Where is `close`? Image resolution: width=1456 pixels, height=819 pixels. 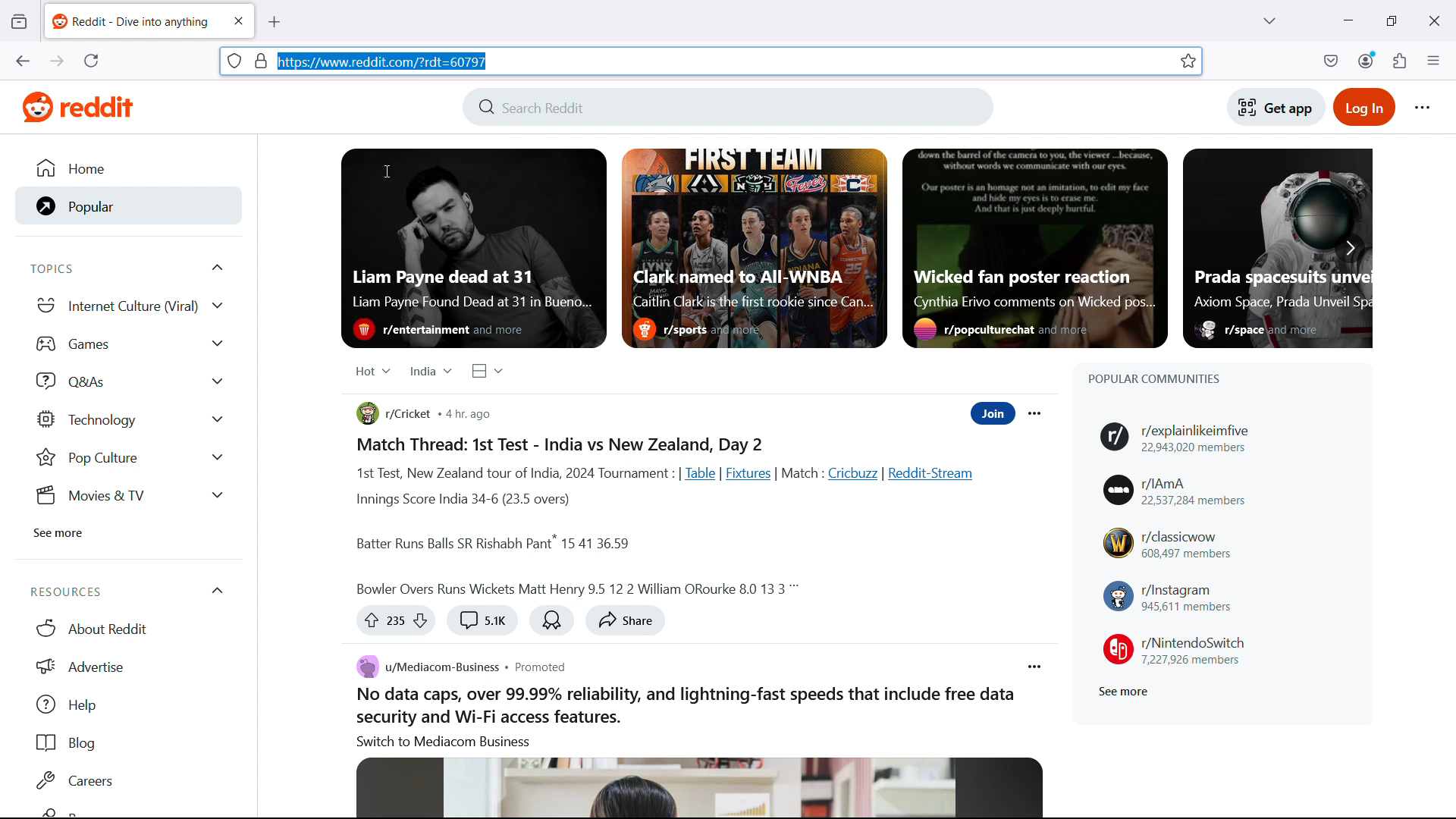 close is located at coordinates (1432, 19).